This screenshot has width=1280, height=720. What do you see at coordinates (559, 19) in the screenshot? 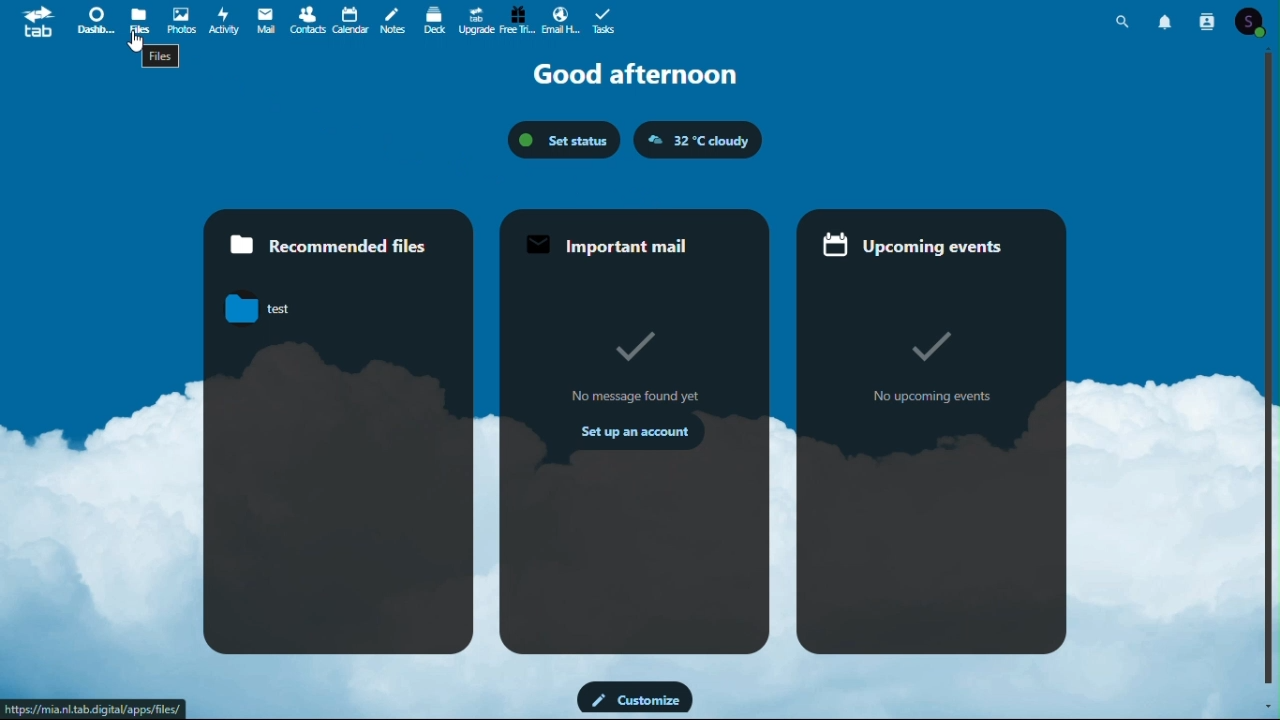
I see `email hosting` at bounding box center [559, 19].